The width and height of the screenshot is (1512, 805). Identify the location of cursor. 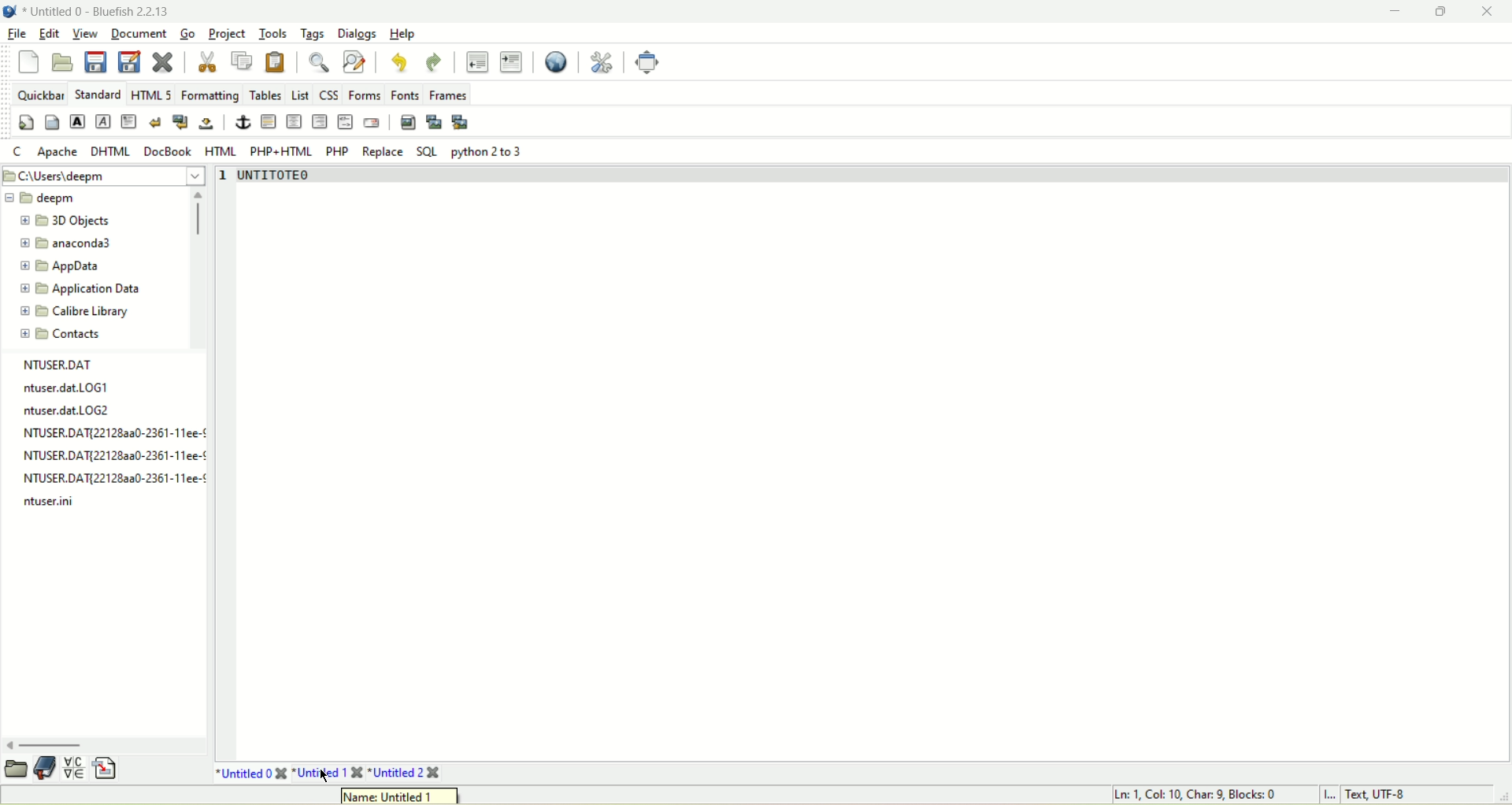
(324, 777).